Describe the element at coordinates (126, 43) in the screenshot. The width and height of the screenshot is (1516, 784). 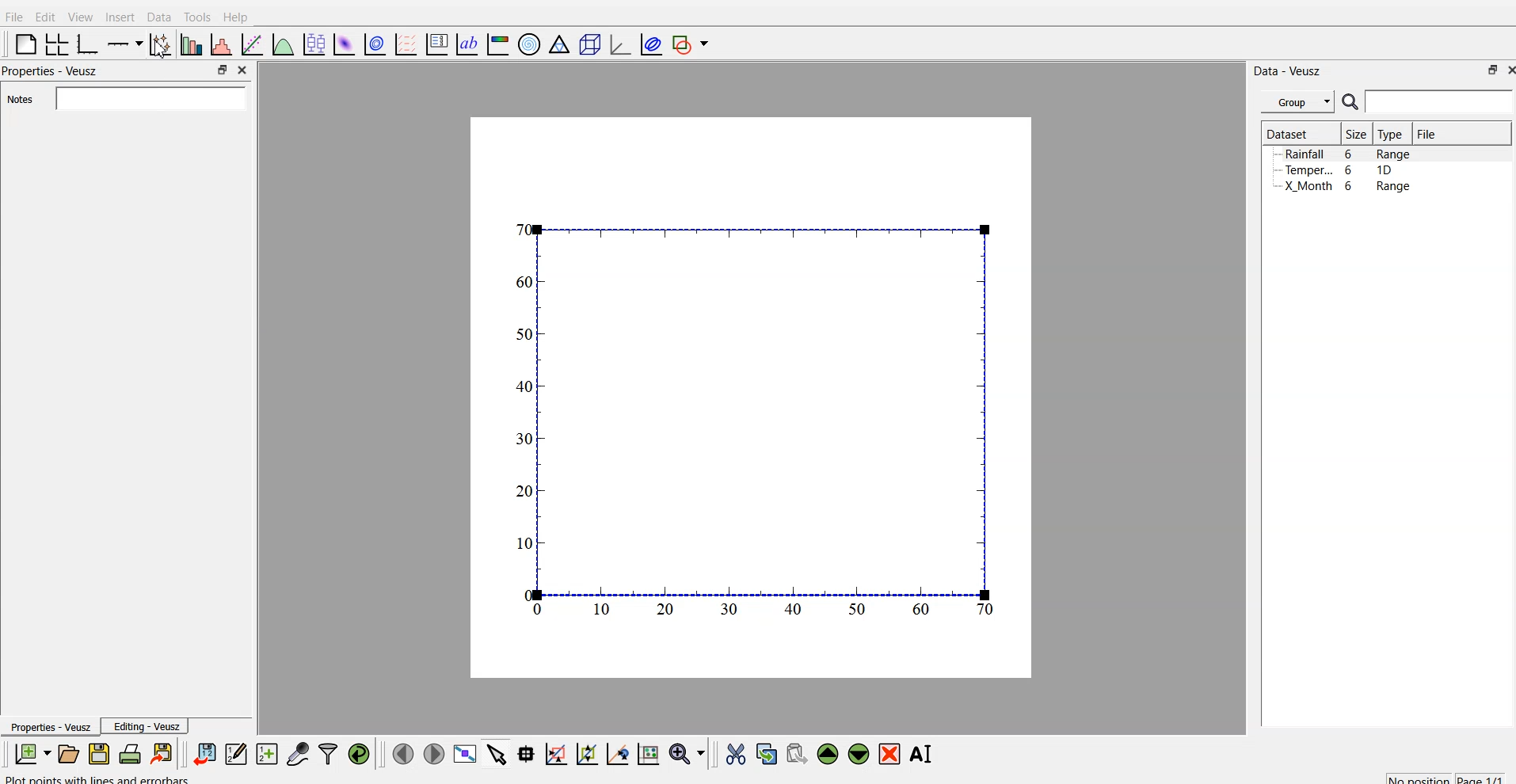
I see `plot on axis` at that location.